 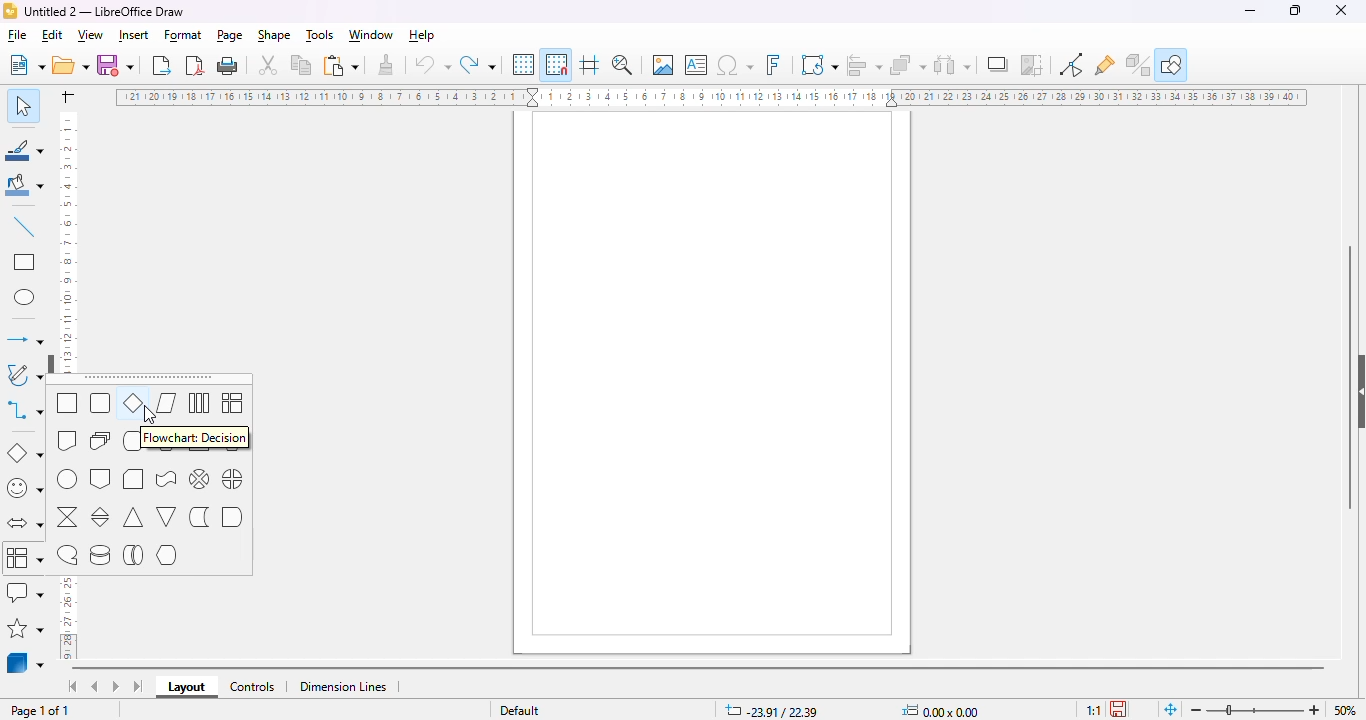 I want to click on Flowchart decision, so click(x=199, y=437).